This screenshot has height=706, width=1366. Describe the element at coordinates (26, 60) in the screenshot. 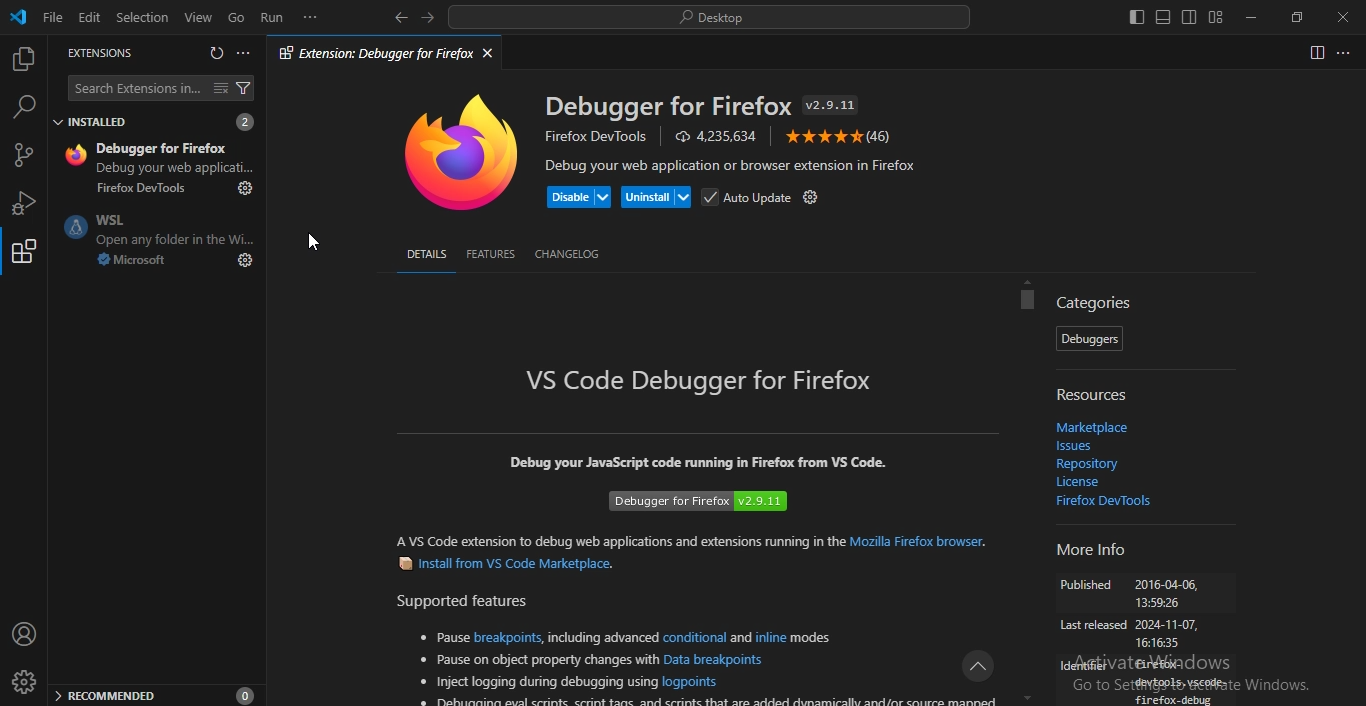

I see `explorer` at that location.